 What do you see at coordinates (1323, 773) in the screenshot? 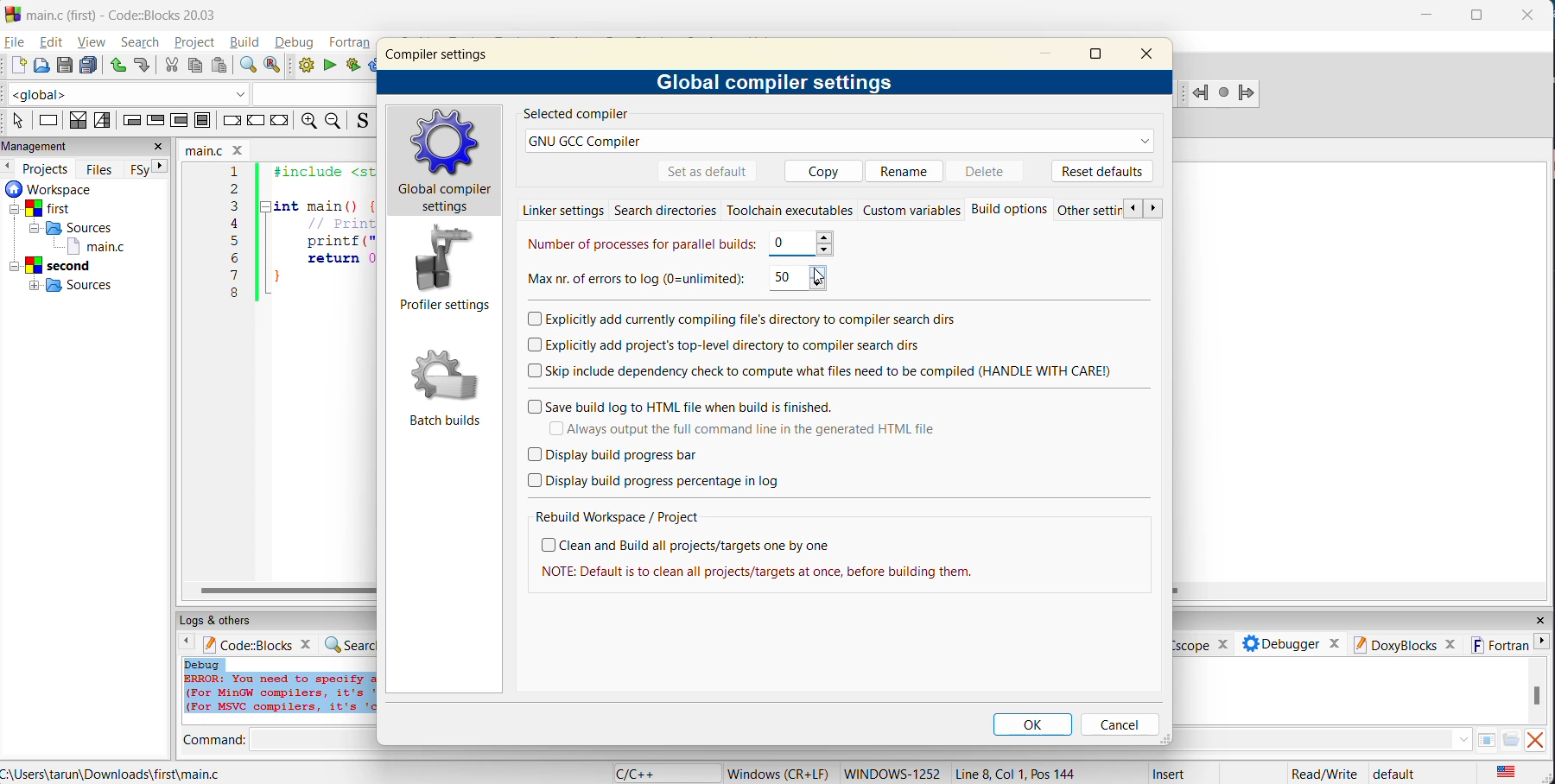
I see `Read/Write` at bounding box center [1323, 773].